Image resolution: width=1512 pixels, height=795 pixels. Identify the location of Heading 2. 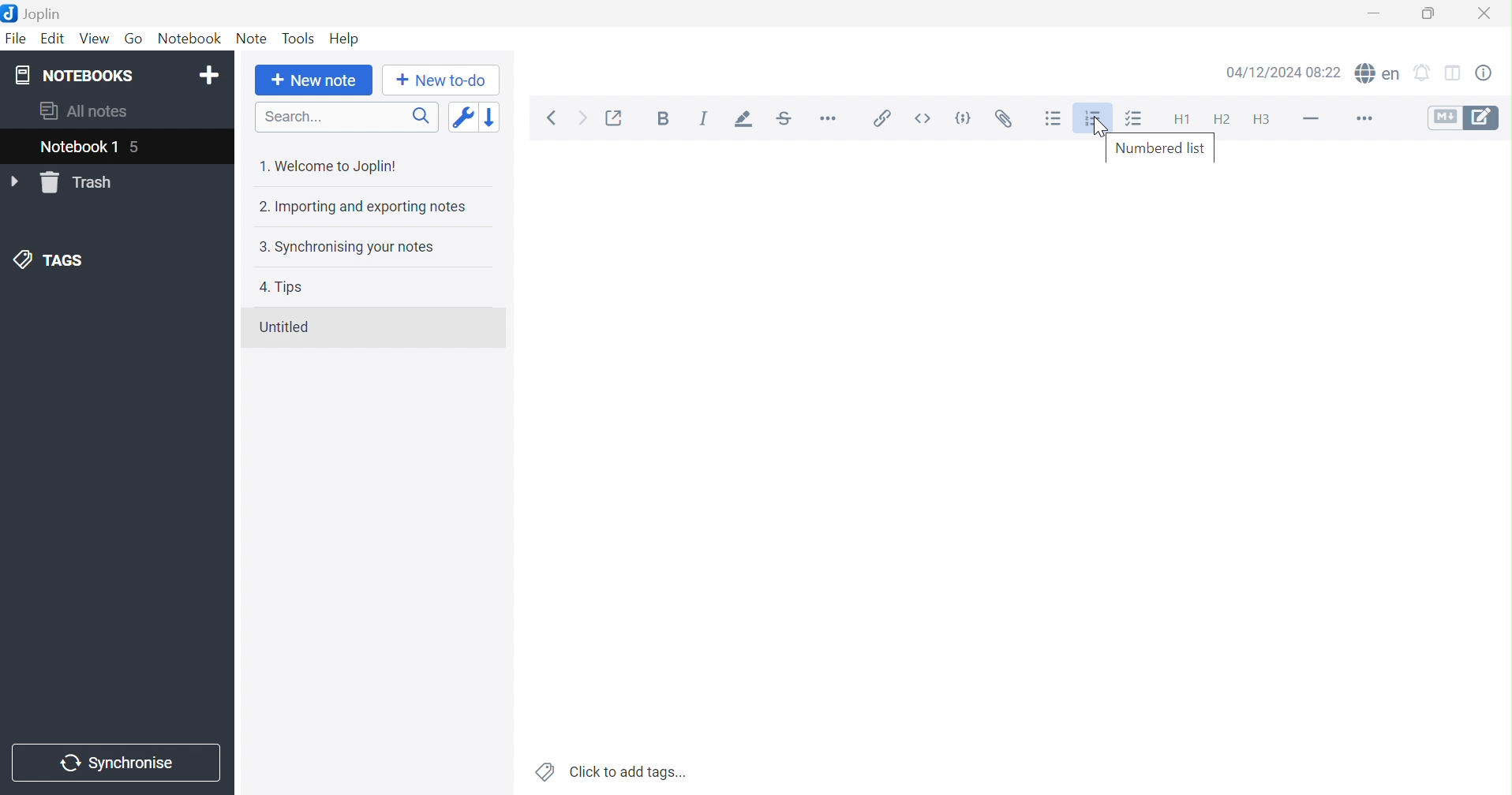
(1221, 117).